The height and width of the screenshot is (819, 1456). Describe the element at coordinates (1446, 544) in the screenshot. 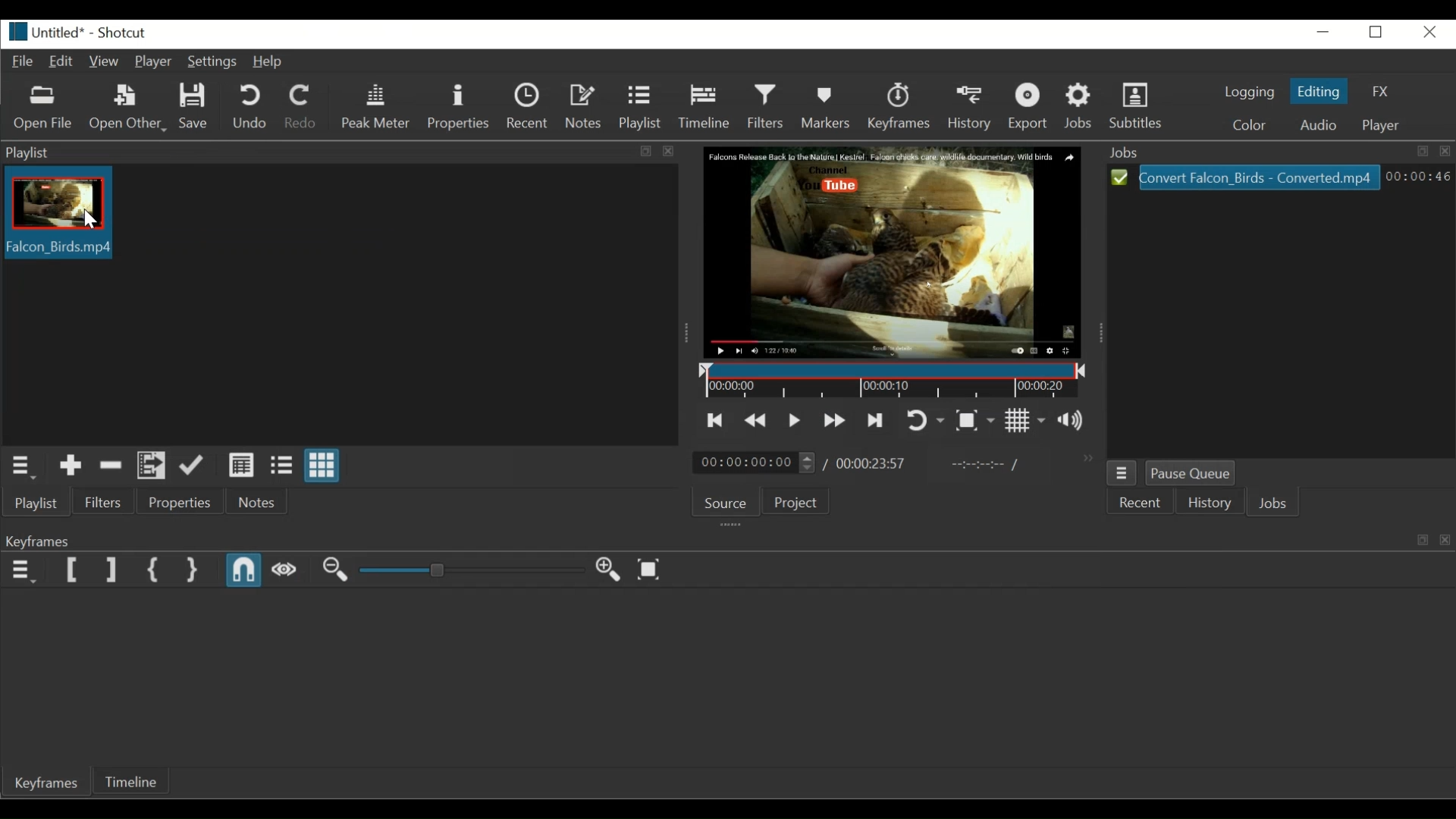

I see `close` at that location.